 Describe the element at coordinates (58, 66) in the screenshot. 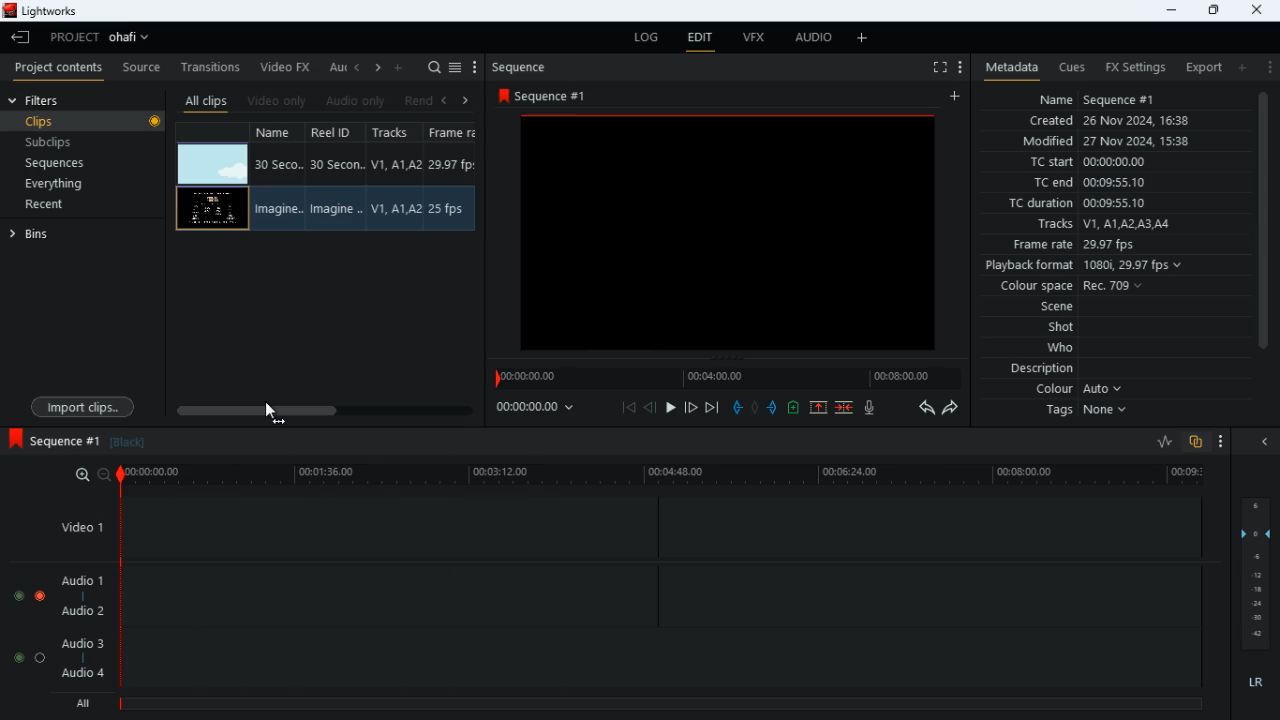

I see `project contents` at that location.